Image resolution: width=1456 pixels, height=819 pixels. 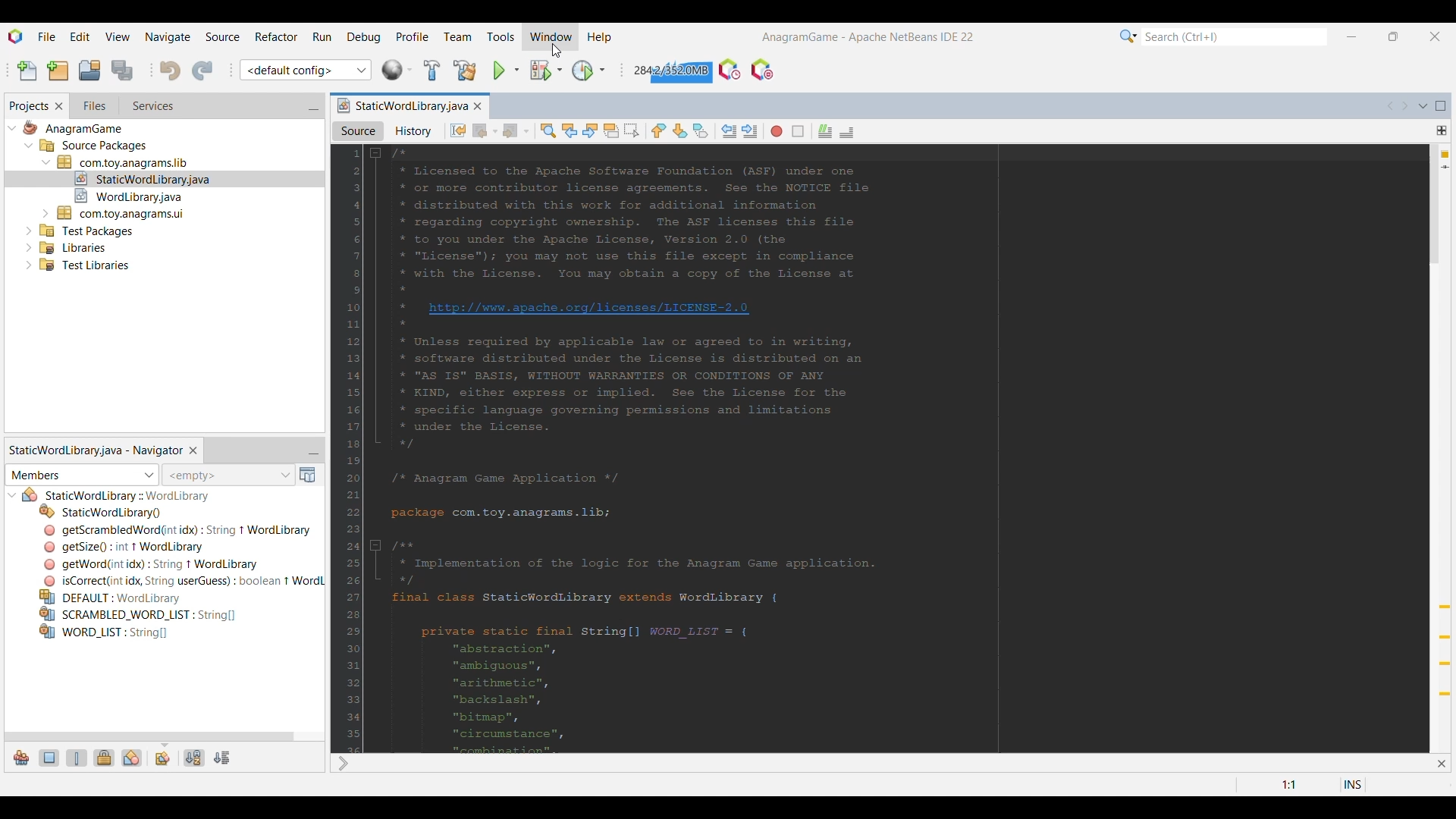 I want to click on , so click(x=123, y=212).